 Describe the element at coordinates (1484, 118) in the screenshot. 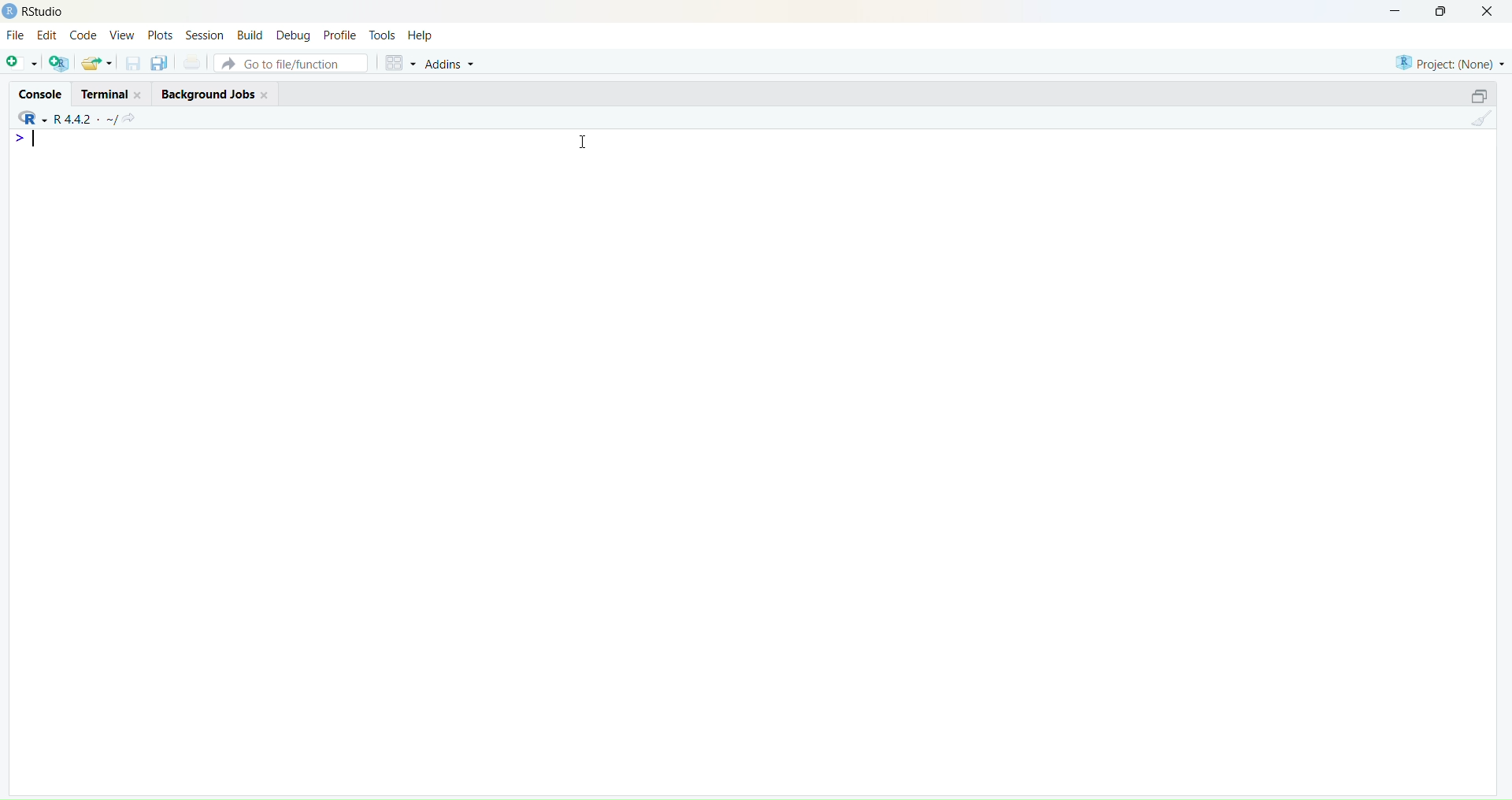

I see `clean` at that location.